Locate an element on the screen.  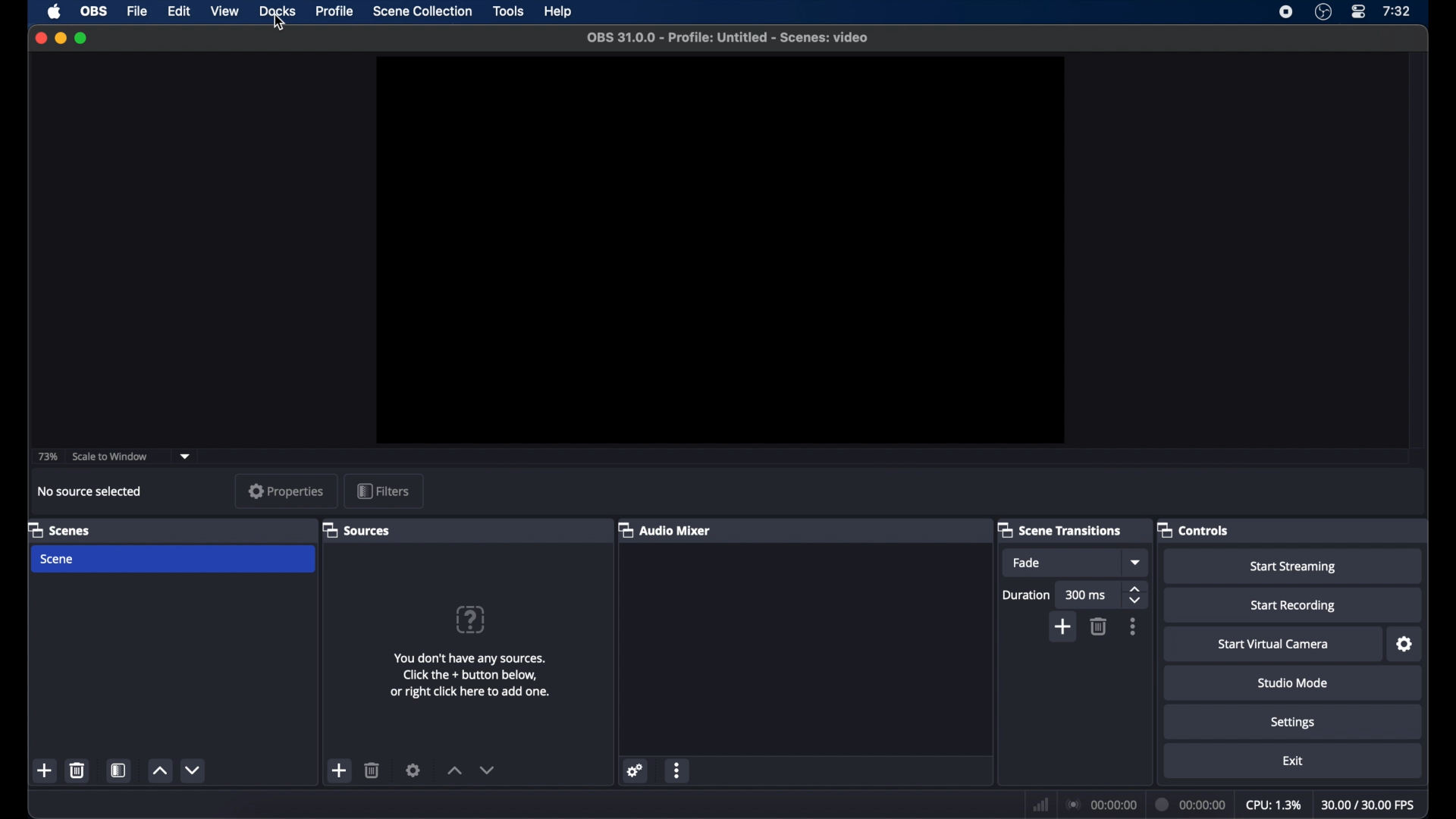
settings is located at coordinates (413, 770).